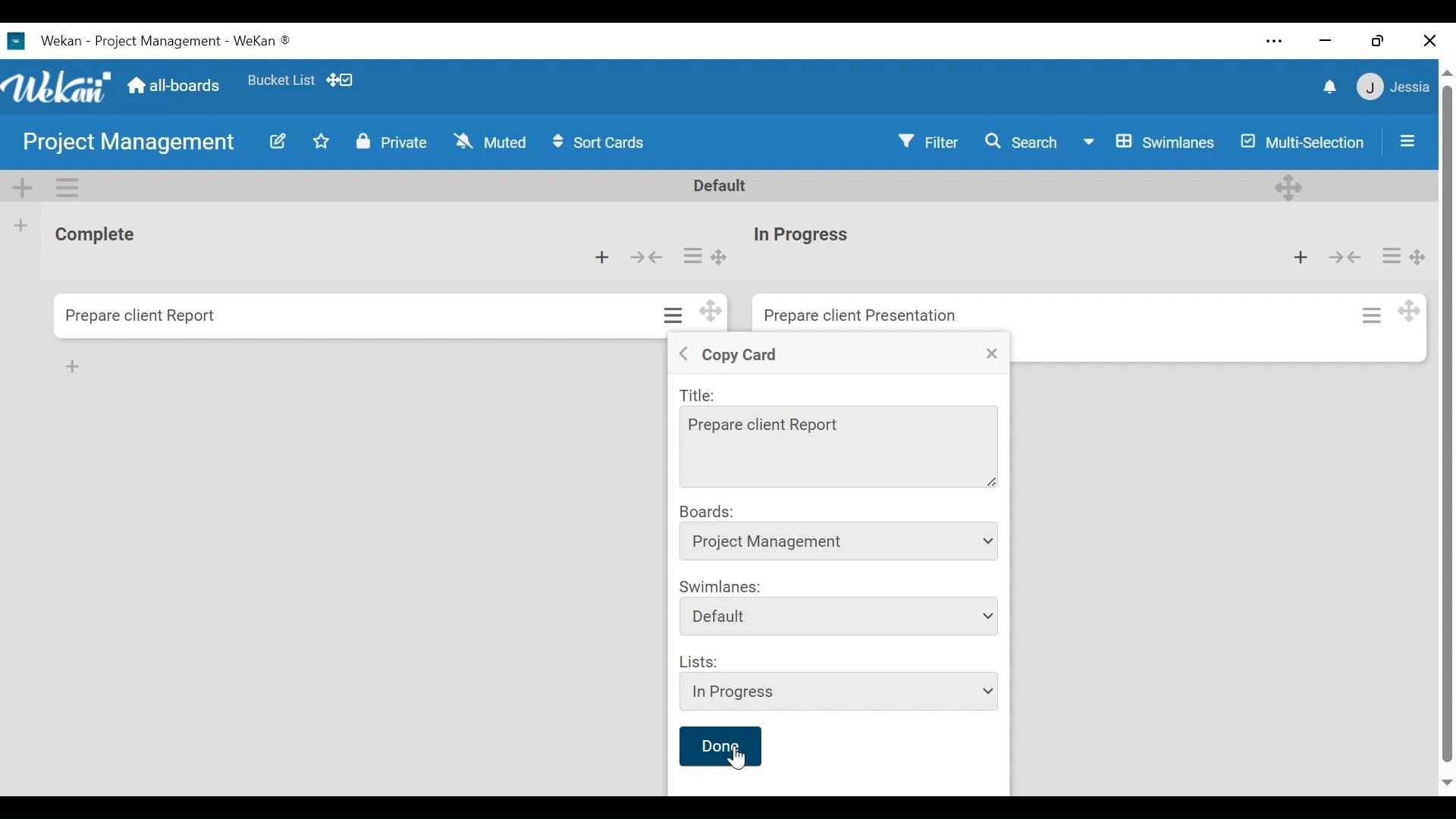 This screenshot has width=1456, height=819. I want to click on Deesktop drag handle, so click(1289, 187).